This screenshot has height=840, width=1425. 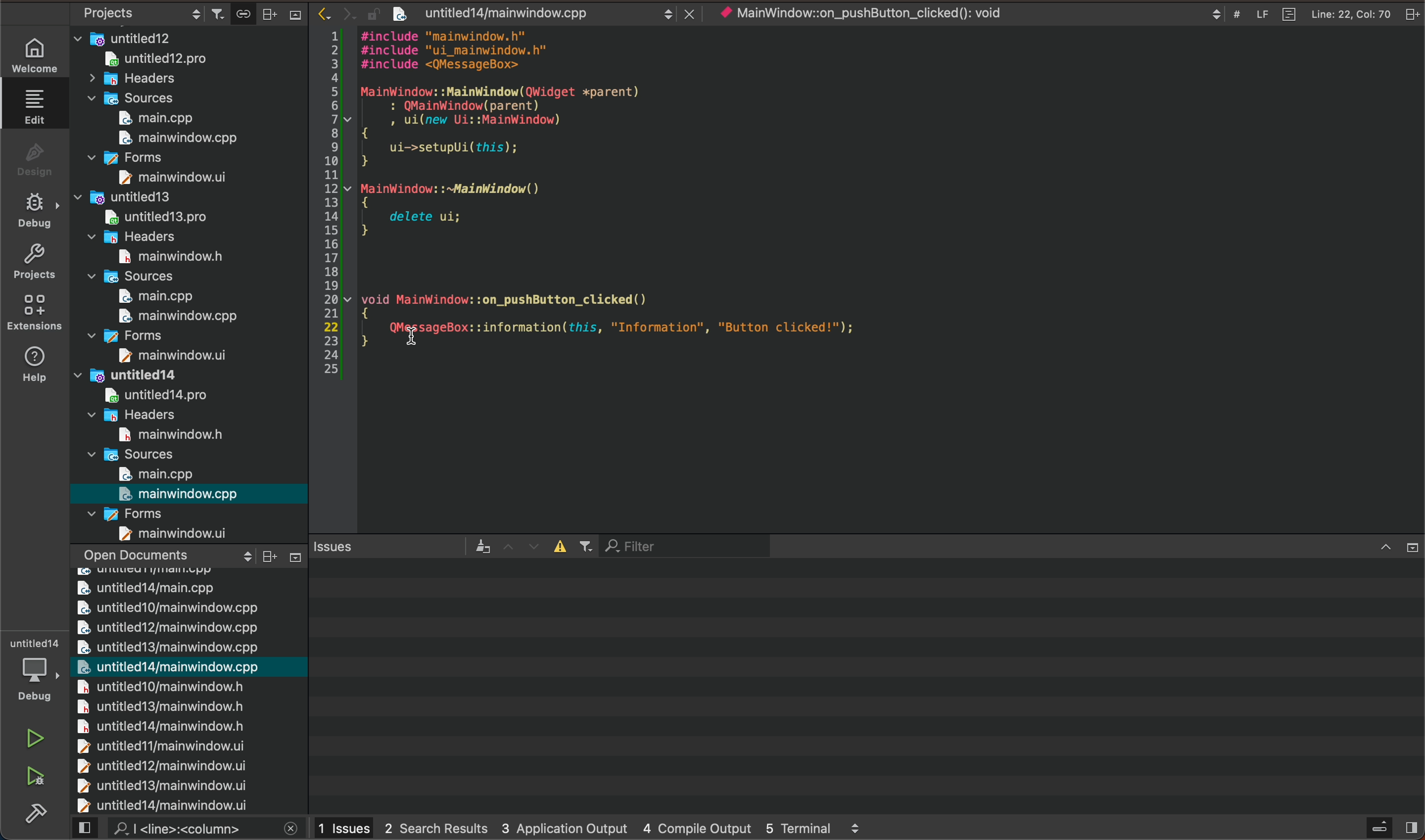 What do you see at coordinates (1307, 14) in the screenshot?
I see `file logs` at bounding box center [1307, 14].